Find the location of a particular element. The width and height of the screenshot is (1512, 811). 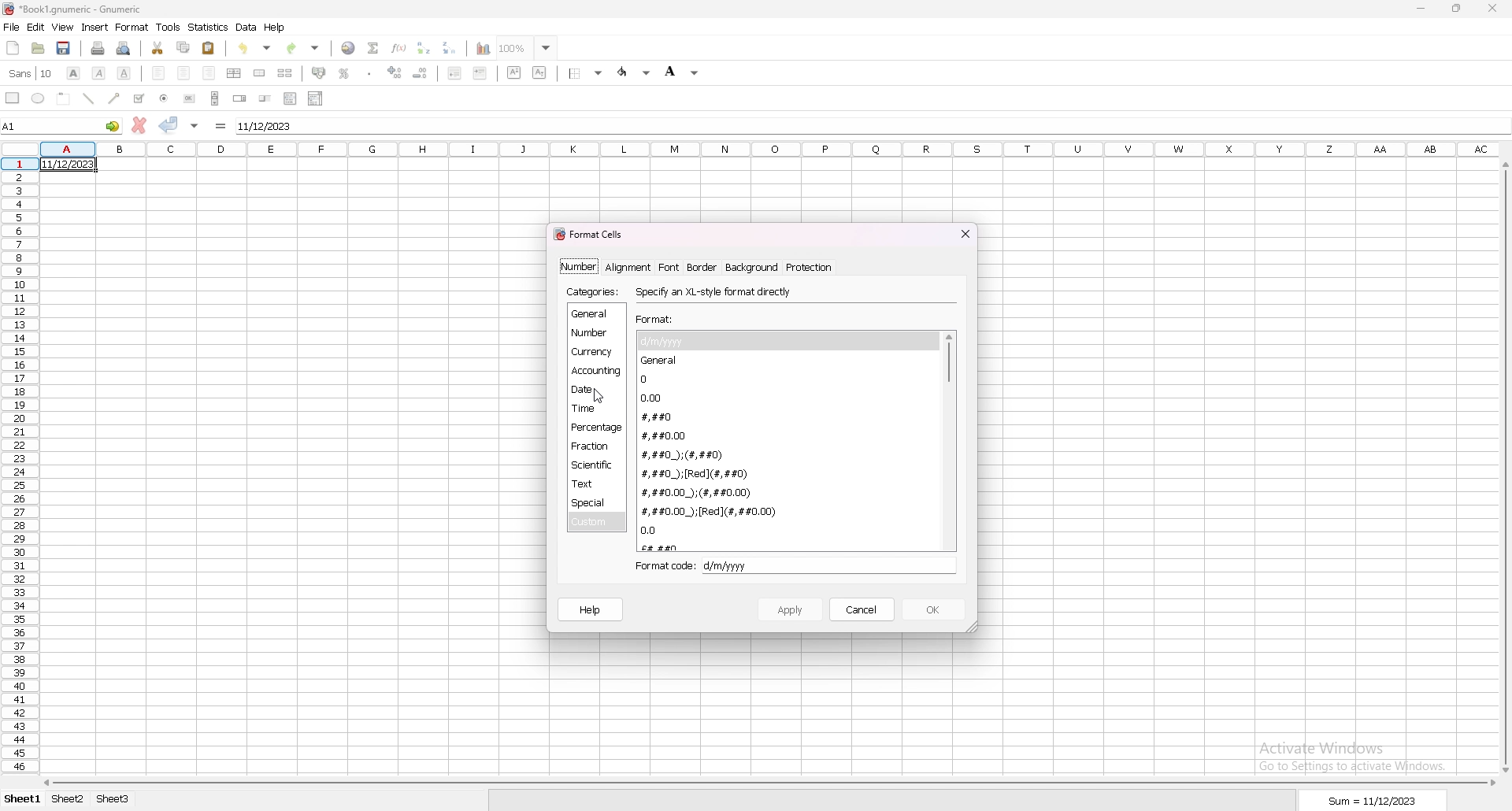

number is located at coordinates (591, 331).